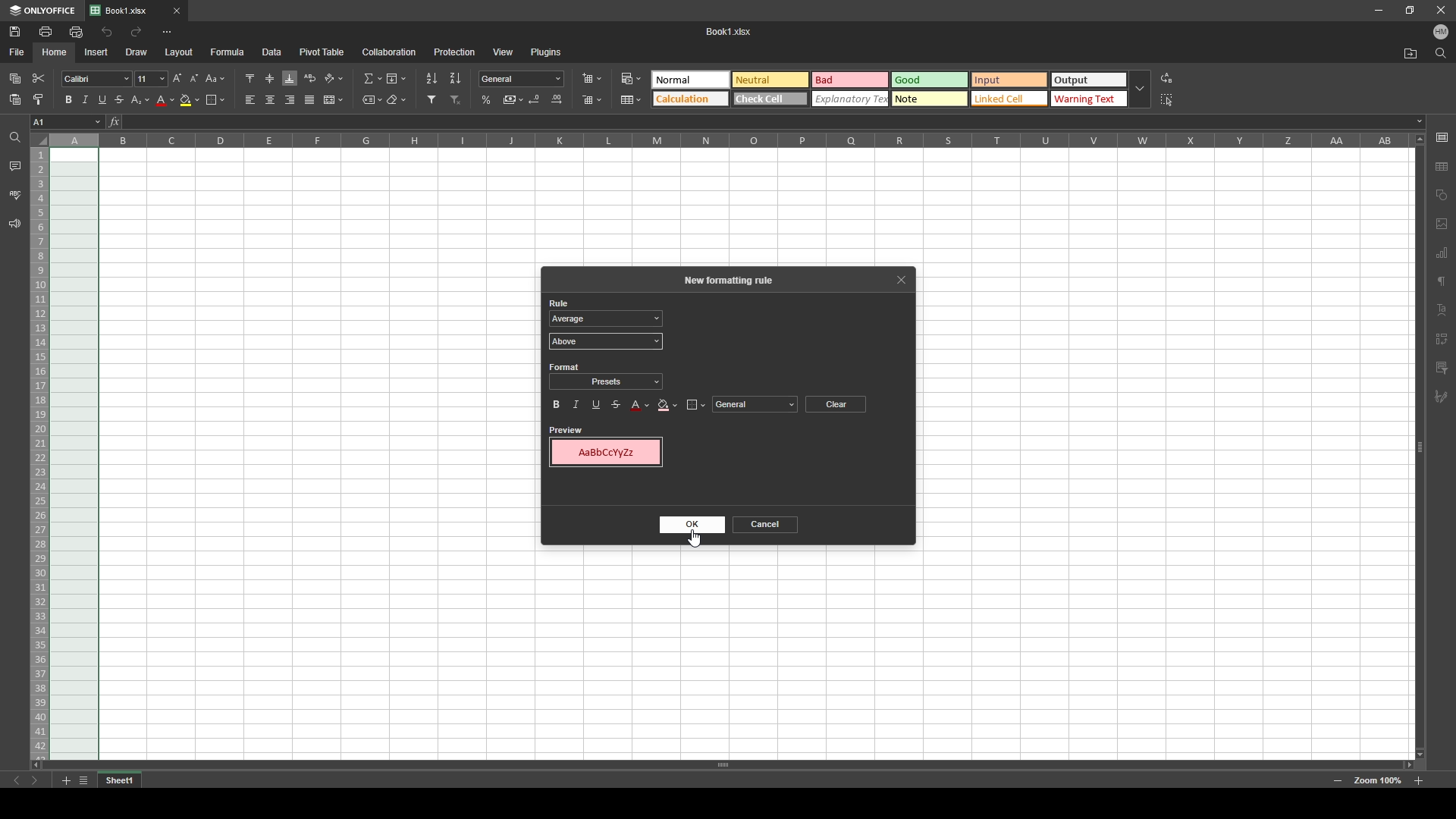 The image size is (1456, 819). What do you see at coordinates (457, 99) in the screenshot?
I see `remove filter` at bounding box center [457, 99].